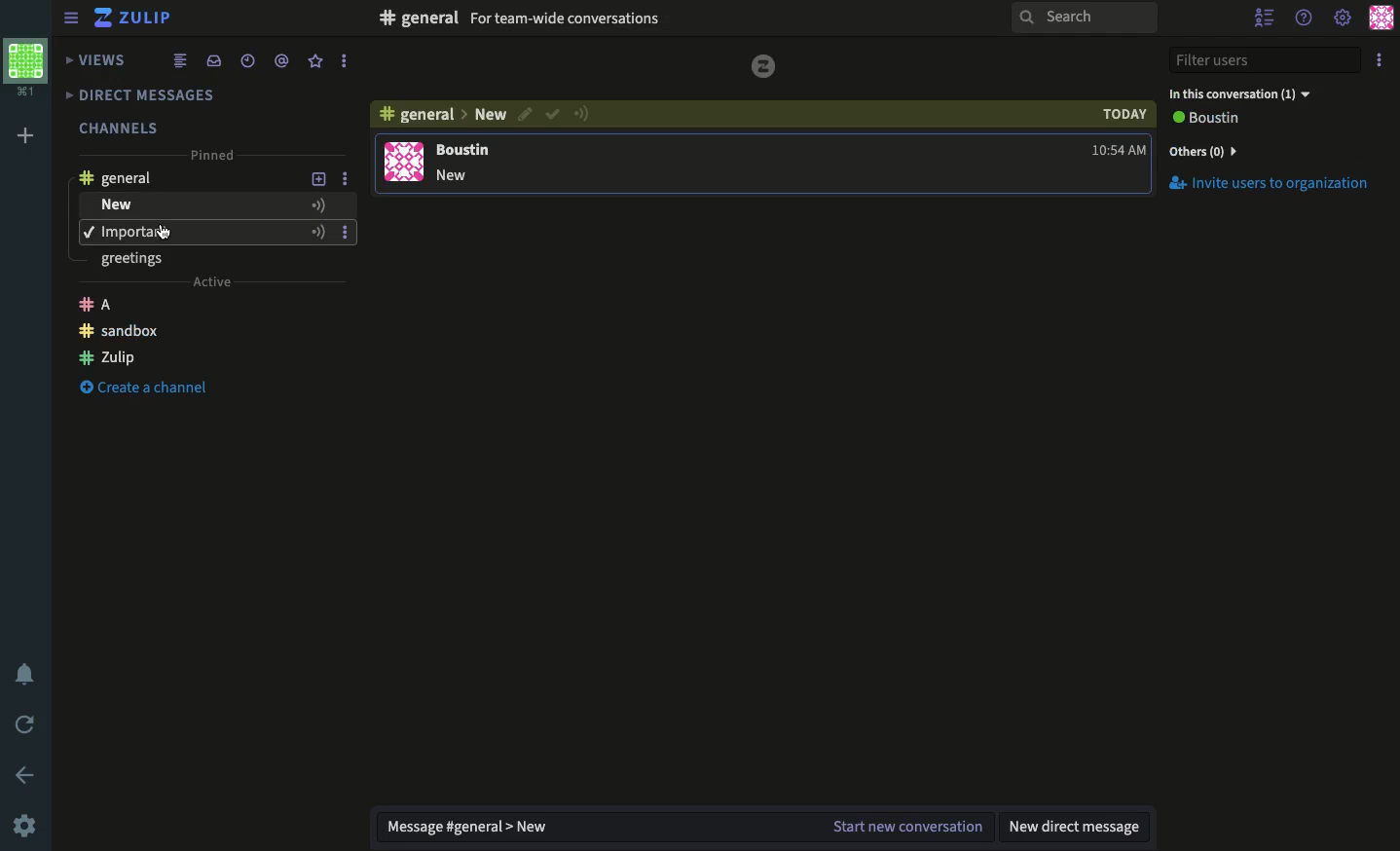 This screenshot has width=1400, height=851. Describe the element at coordinates (469, 150) in the screenshot. I see `user` at that location.